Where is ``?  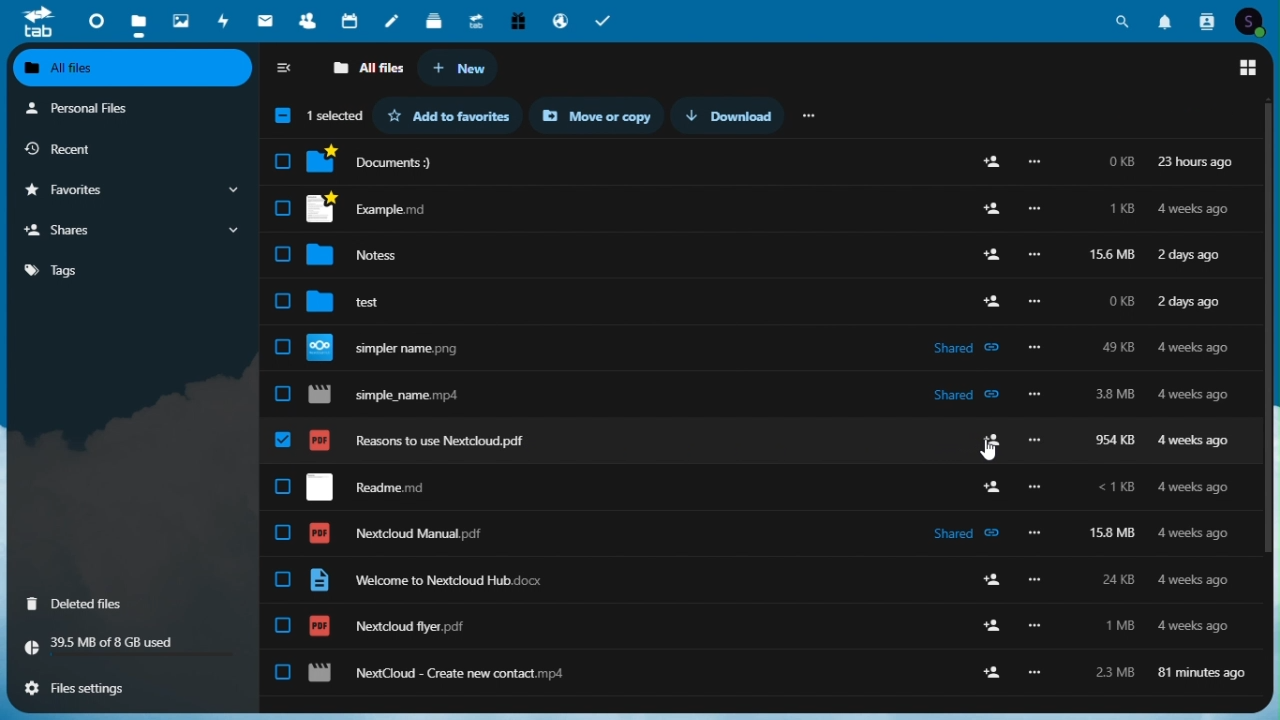
 is located at coordinates (991, 300).